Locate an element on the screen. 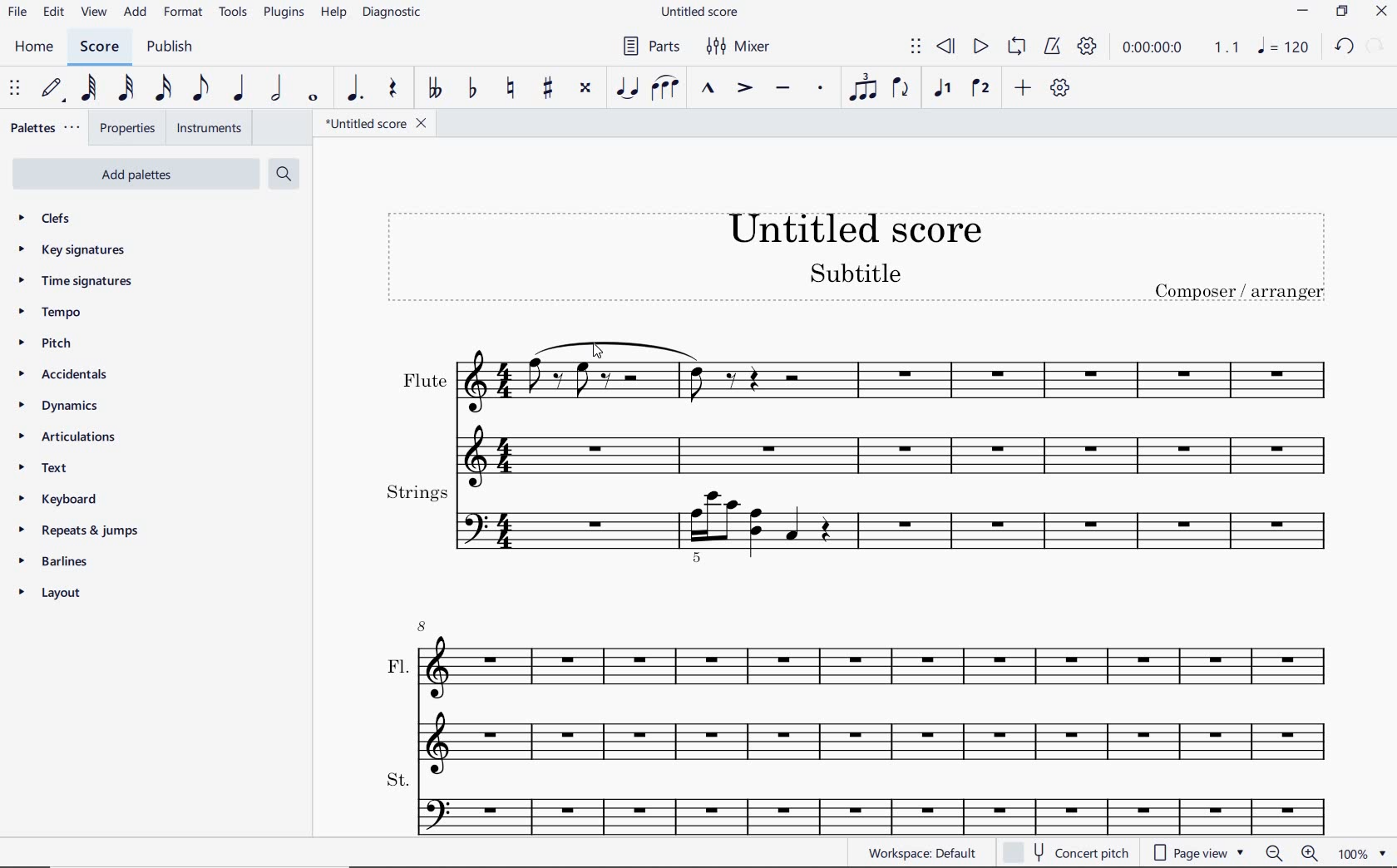 Image resolution: width=1397 pixels, height=868 pixels. view is located at coordinates (93, 12).